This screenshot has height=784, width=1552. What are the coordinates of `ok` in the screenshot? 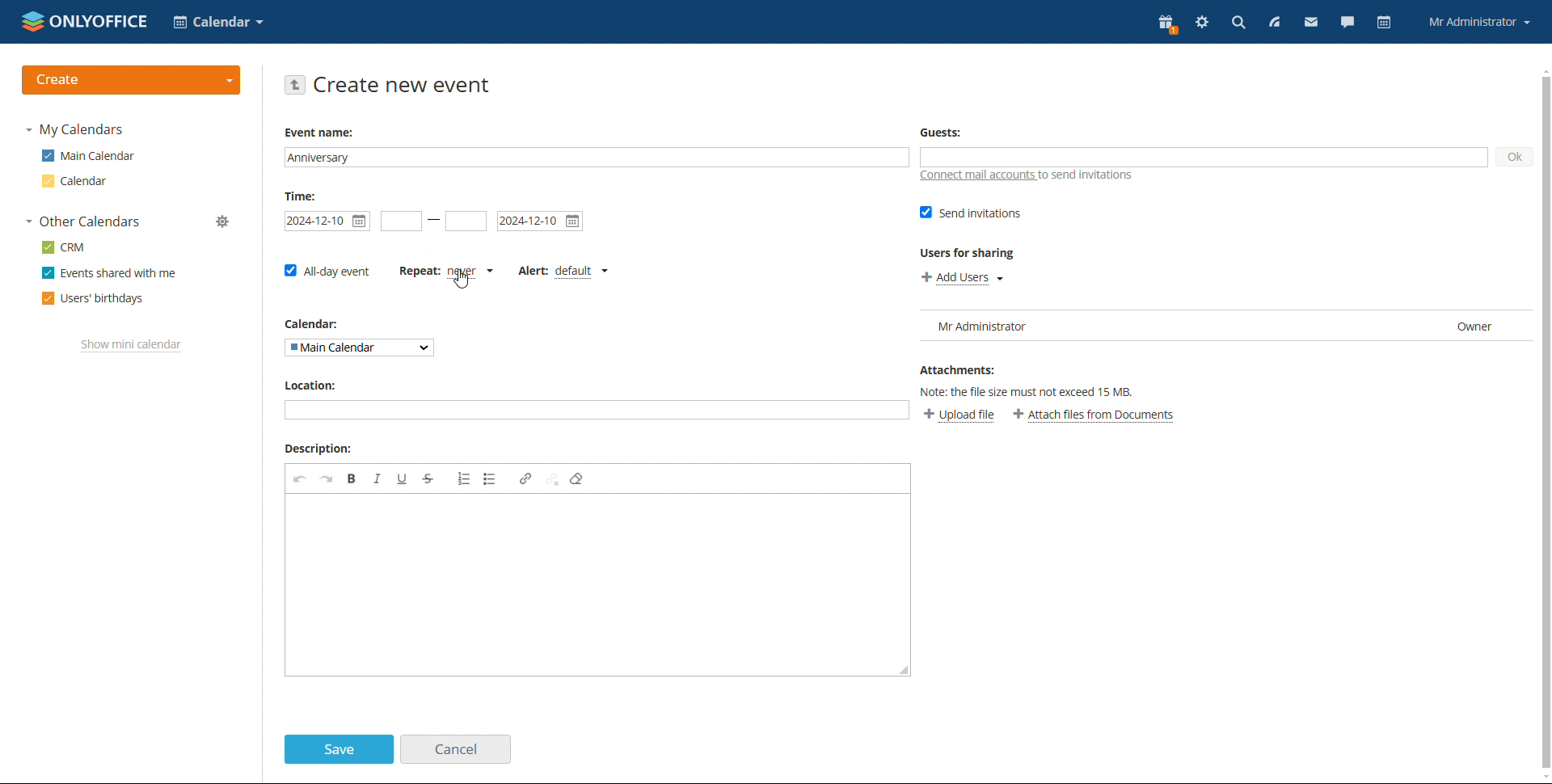 It's located at (1514, 157).